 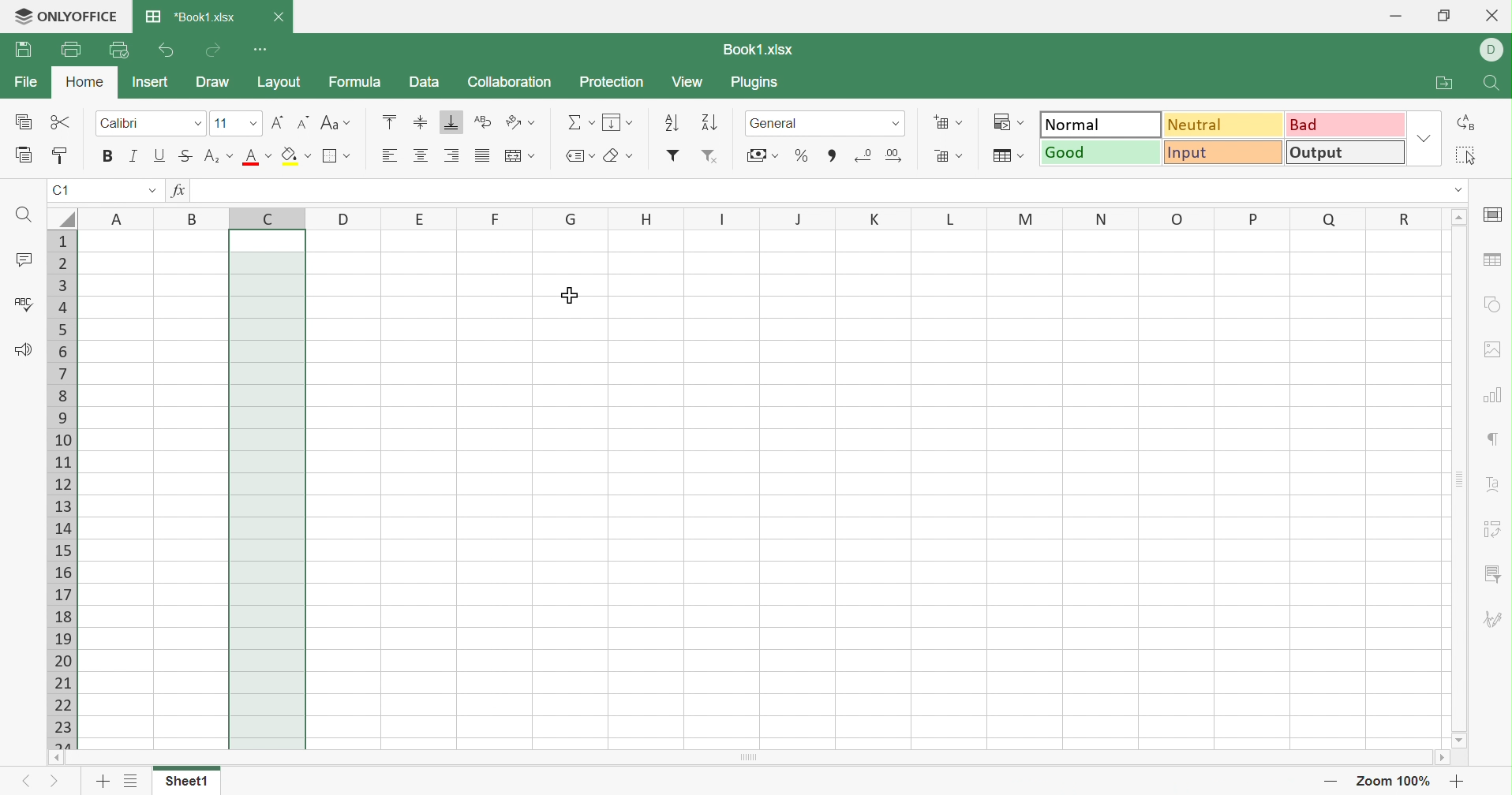 What do you see at coordinates (185, 155) in the screenshot?
I see `Strikethrough` at bounding box center [185, 155].